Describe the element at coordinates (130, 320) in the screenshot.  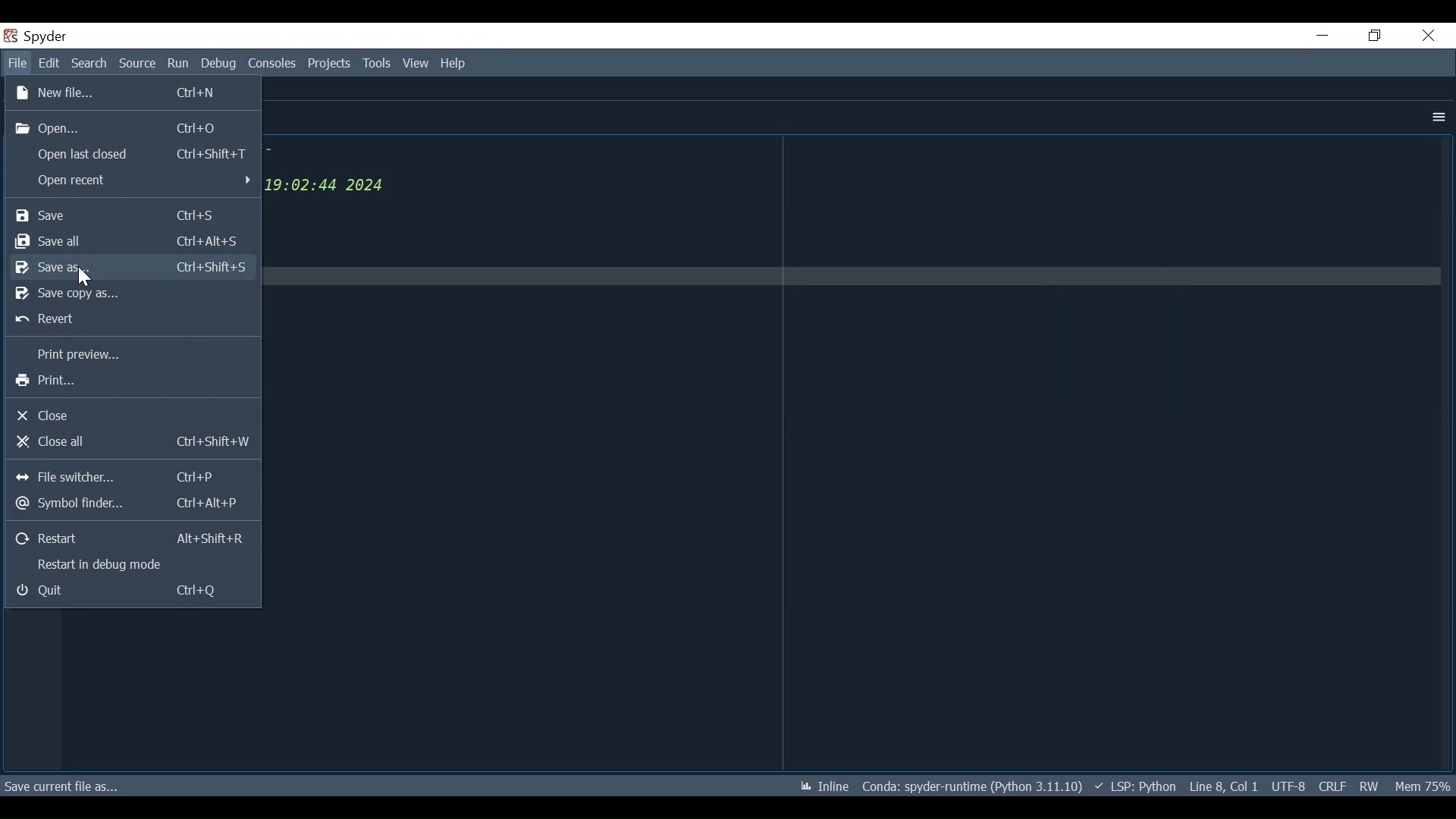
I see `Revert` at that location.